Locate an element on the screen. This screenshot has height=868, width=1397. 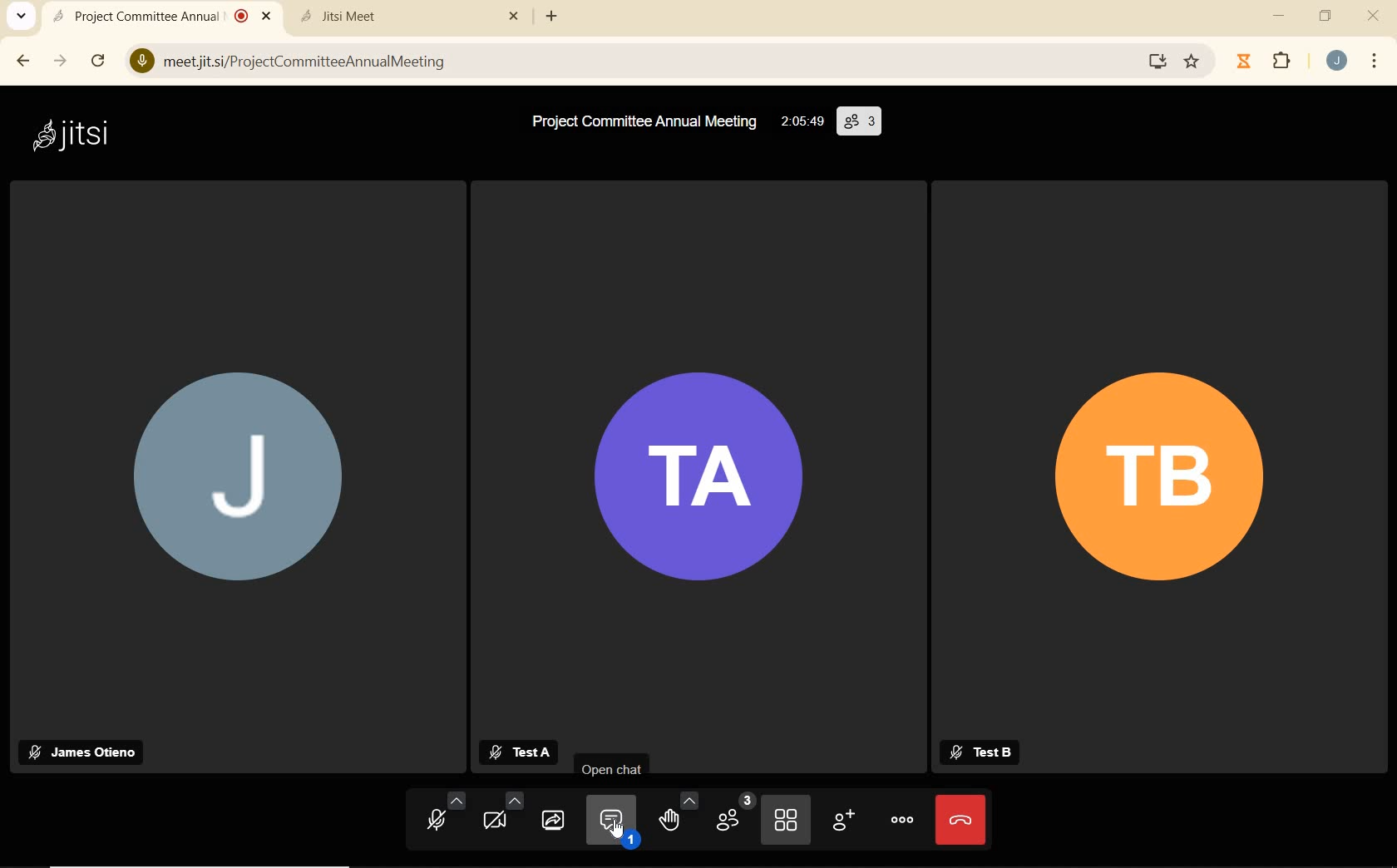
restore down is located at coordinates (1325, 17).